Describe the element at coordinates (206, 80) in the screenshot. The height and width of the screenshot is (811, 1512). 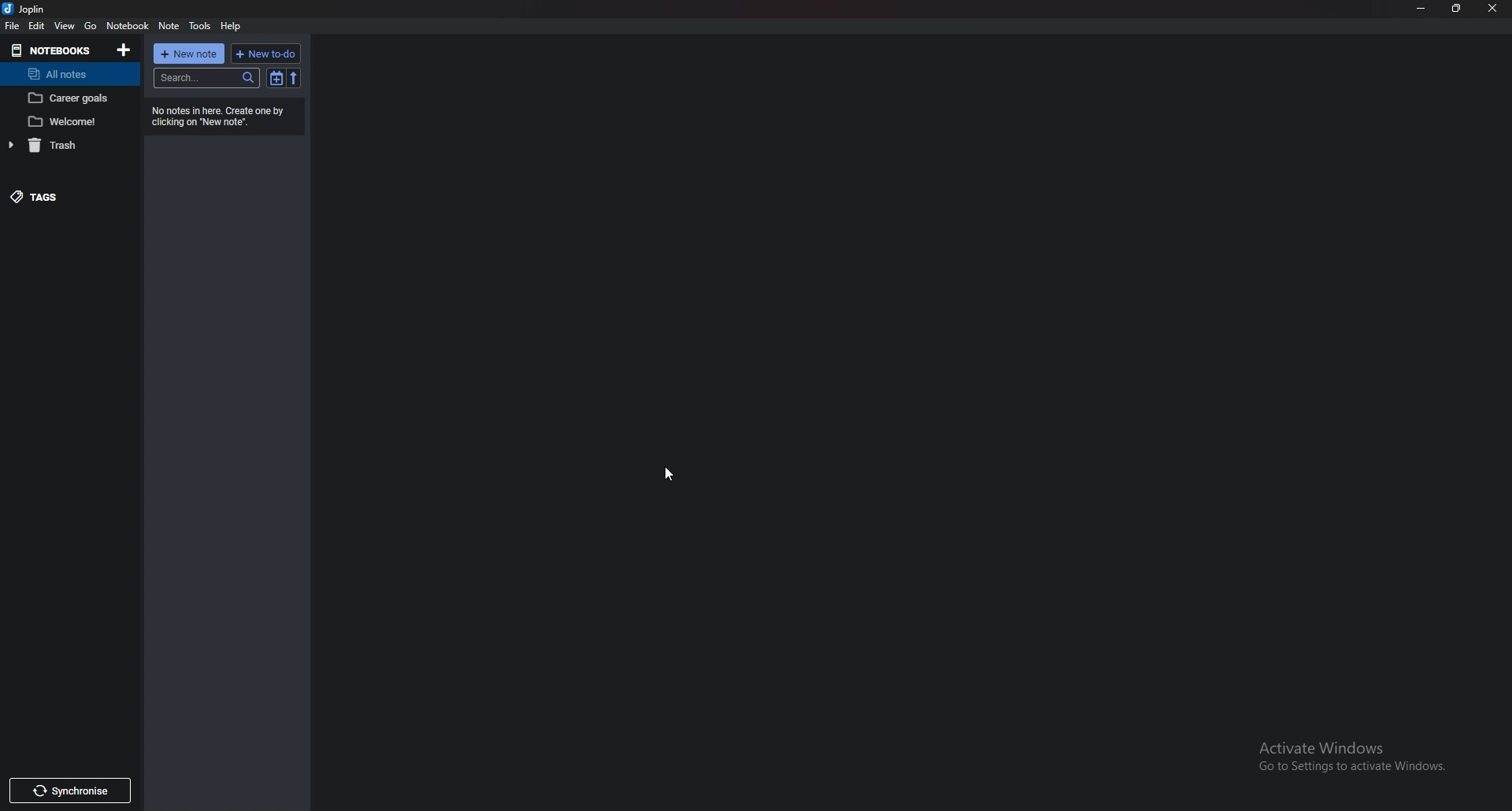
I see `search ` at that location.